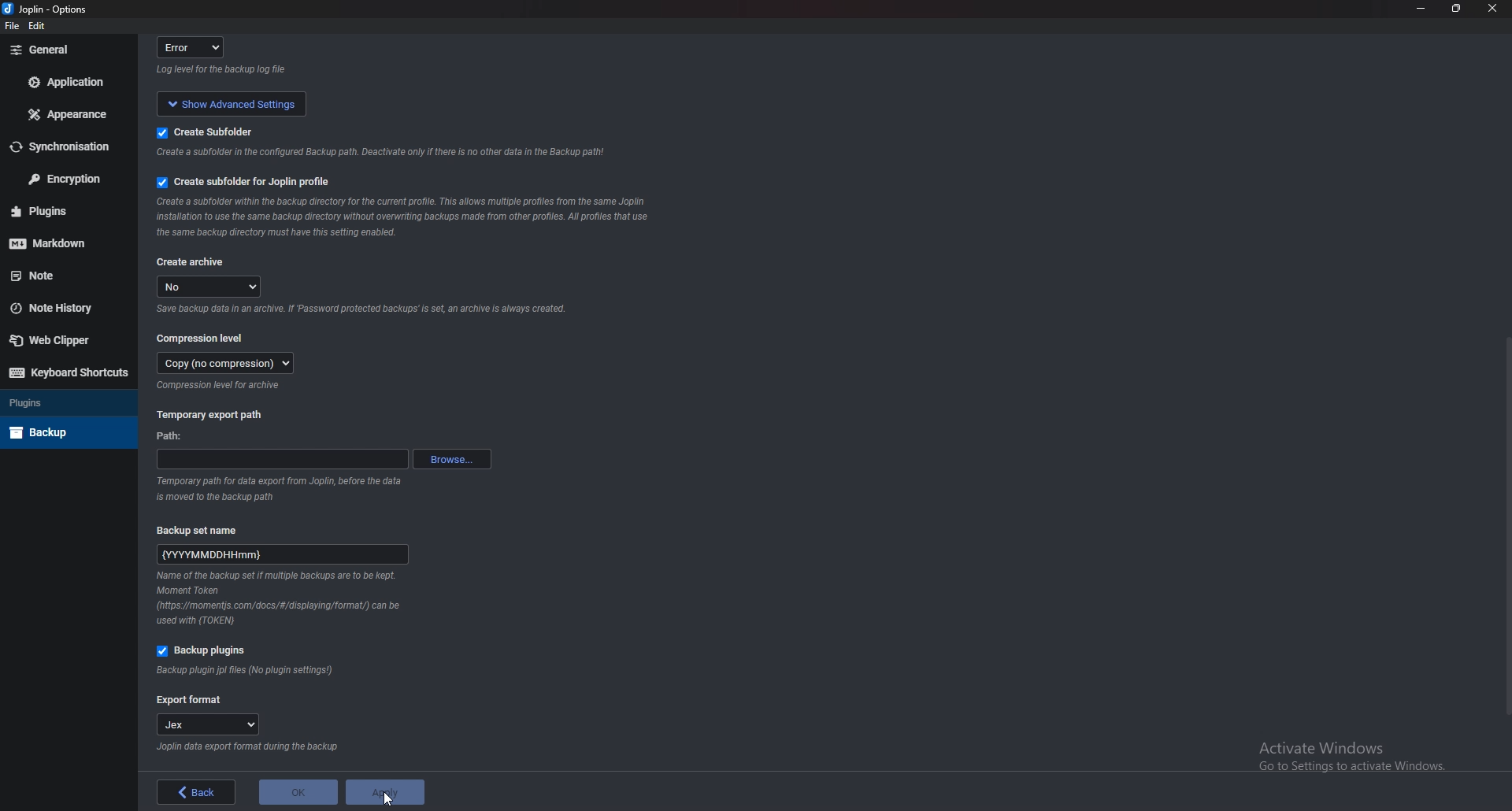 This screenshot has width=1512, height=811. I want to click on Create subfolder for Joplin profile, so click(247, 182).